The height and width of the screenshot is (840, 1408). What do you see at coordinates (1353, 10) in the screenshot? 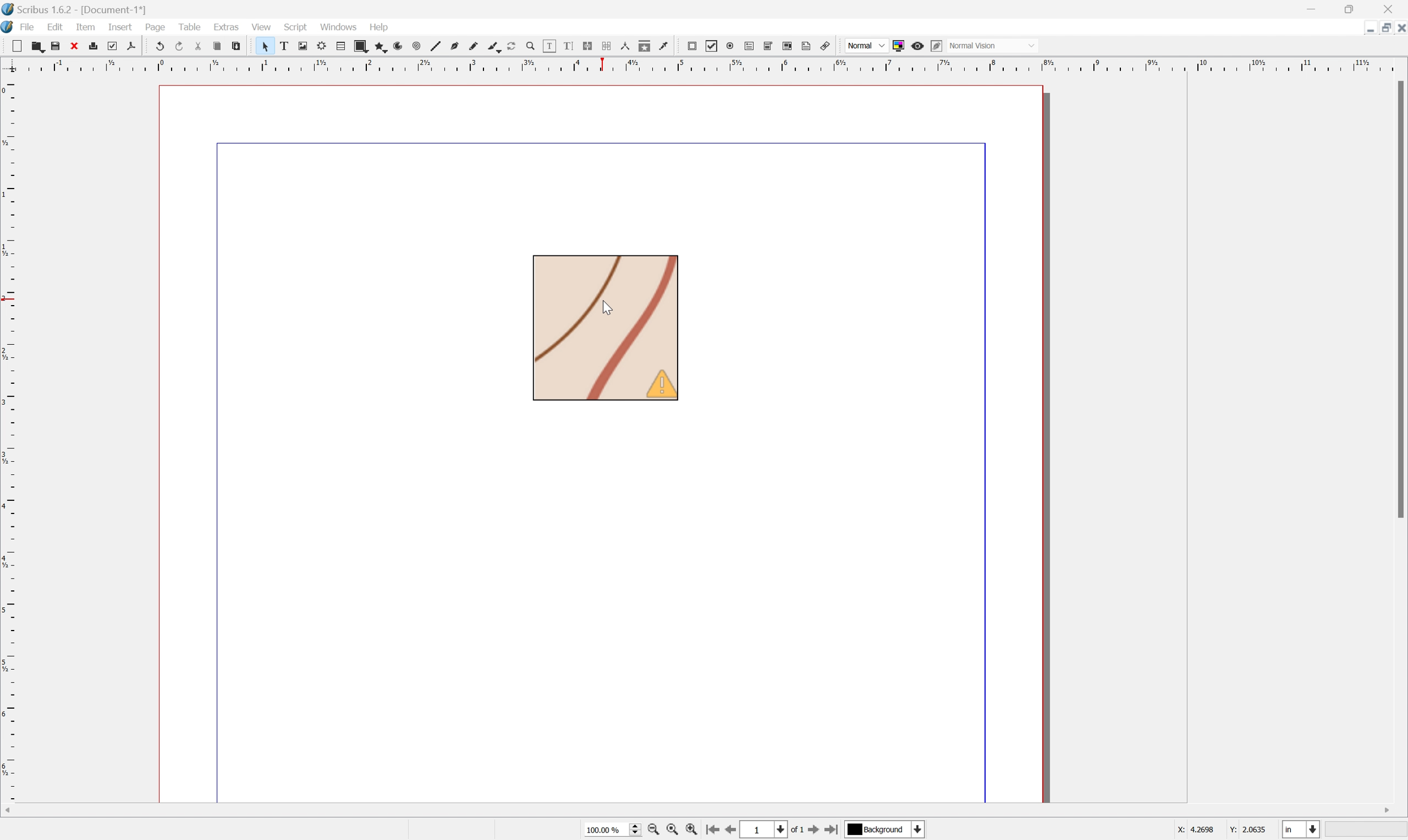
I see `Restore down` at bounding box center [1353, 10].